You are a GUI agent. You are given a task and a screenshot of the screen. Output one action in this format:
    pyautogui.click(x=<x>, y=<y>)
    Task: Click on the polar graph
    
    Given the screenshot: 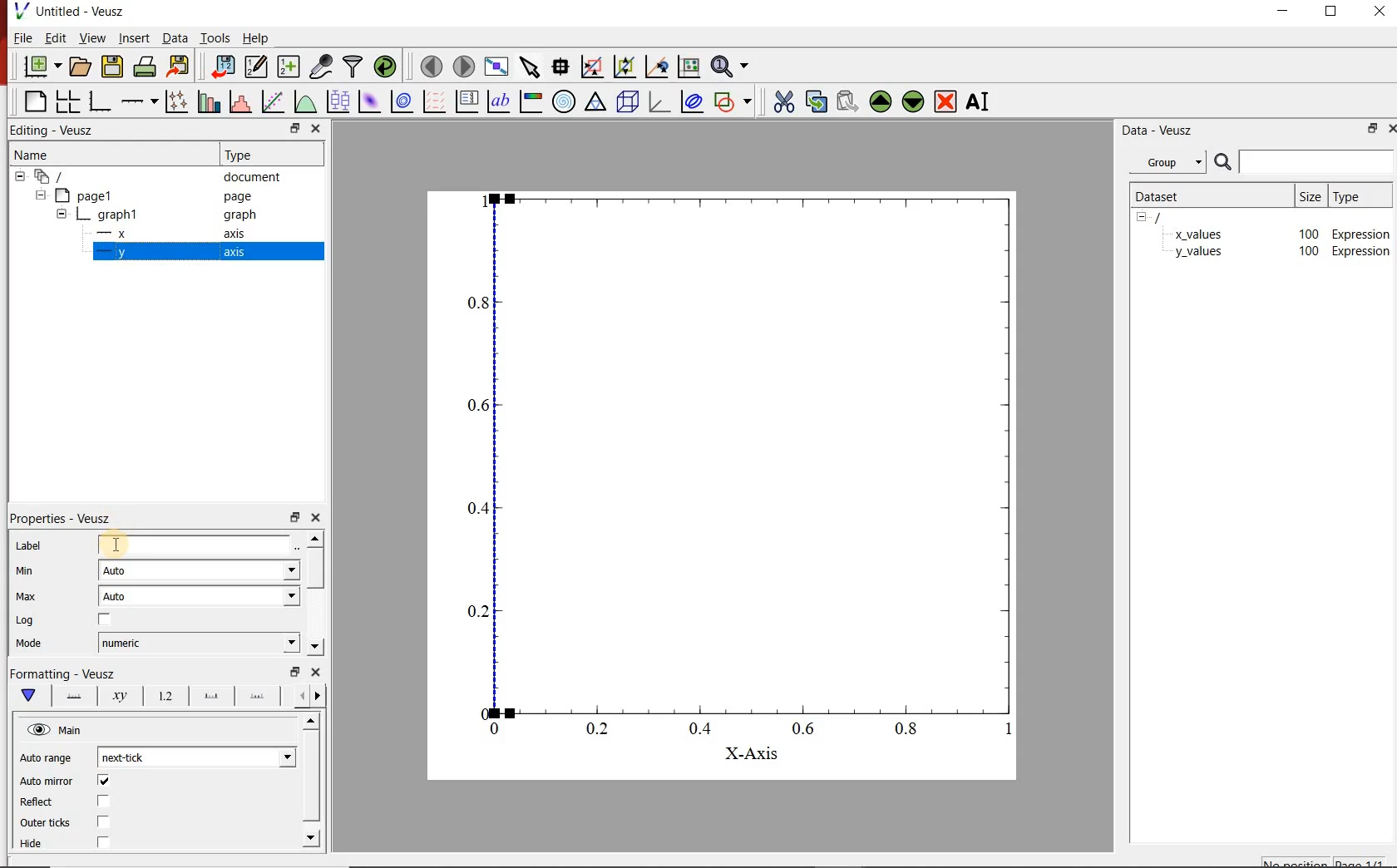 What is the action you would take?
    pyautogui.click(x=565, y=103)
    